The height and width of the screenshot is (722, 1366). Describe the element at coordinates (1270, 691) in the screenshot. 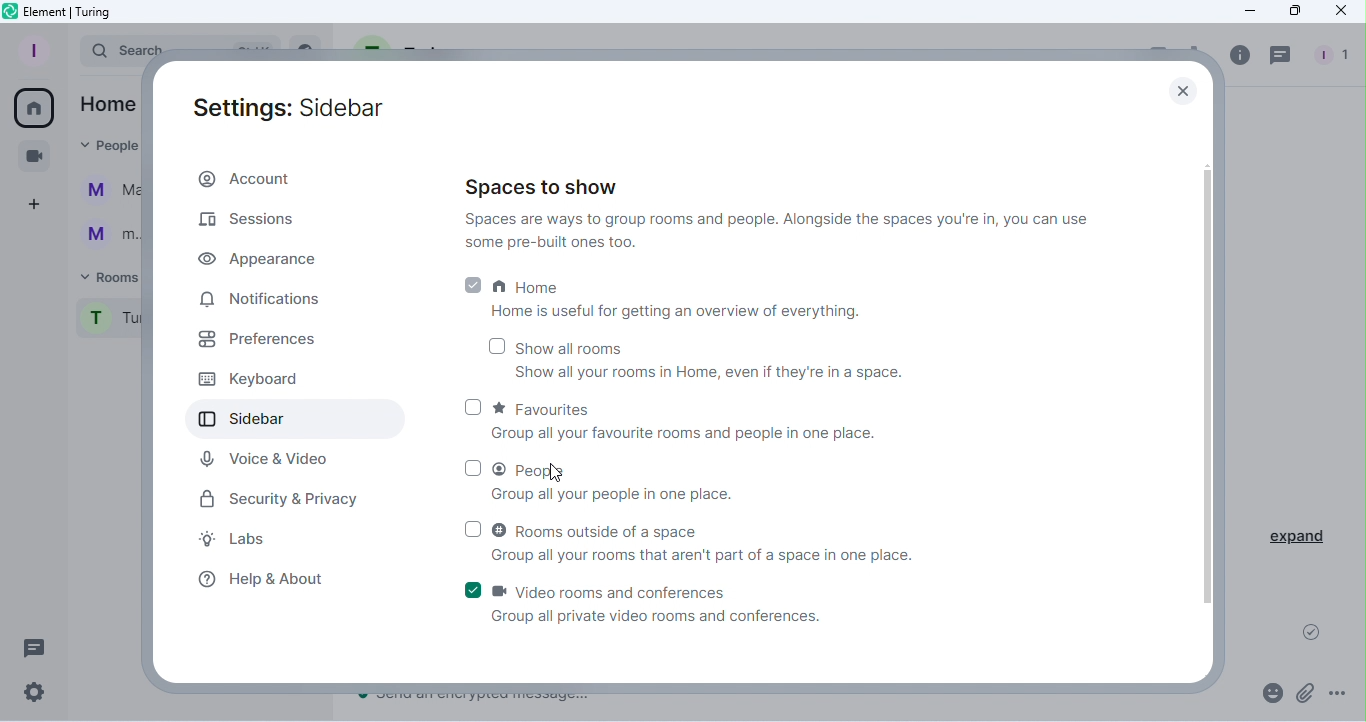

I see `Emoji` at that location.